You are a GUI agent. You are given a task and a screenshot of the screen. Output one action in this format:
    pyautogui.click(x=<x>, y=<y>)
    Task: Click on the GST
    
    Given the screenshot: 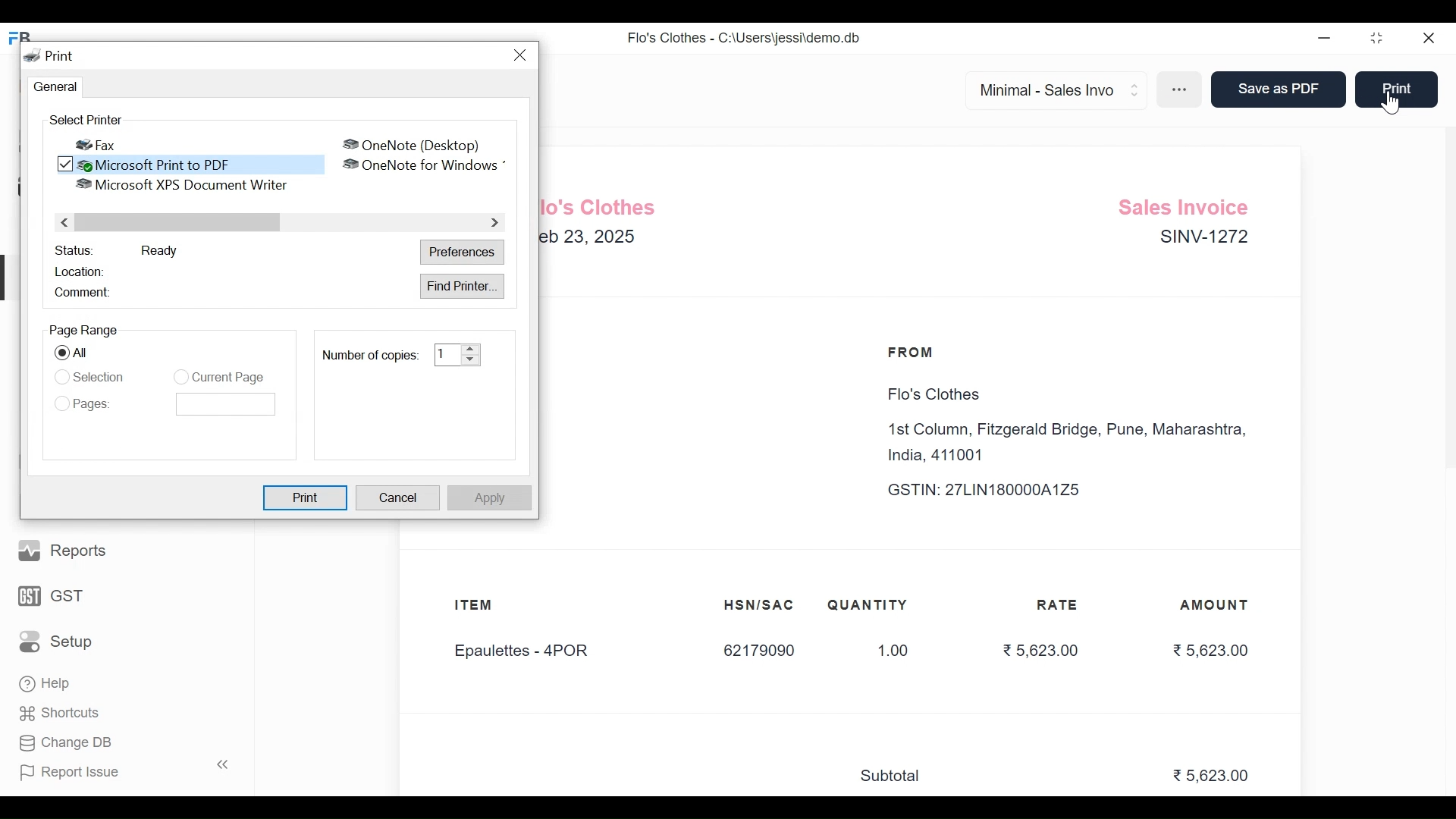 What is the action you would take?
    pyautogui.click(x=52, y=595)
    